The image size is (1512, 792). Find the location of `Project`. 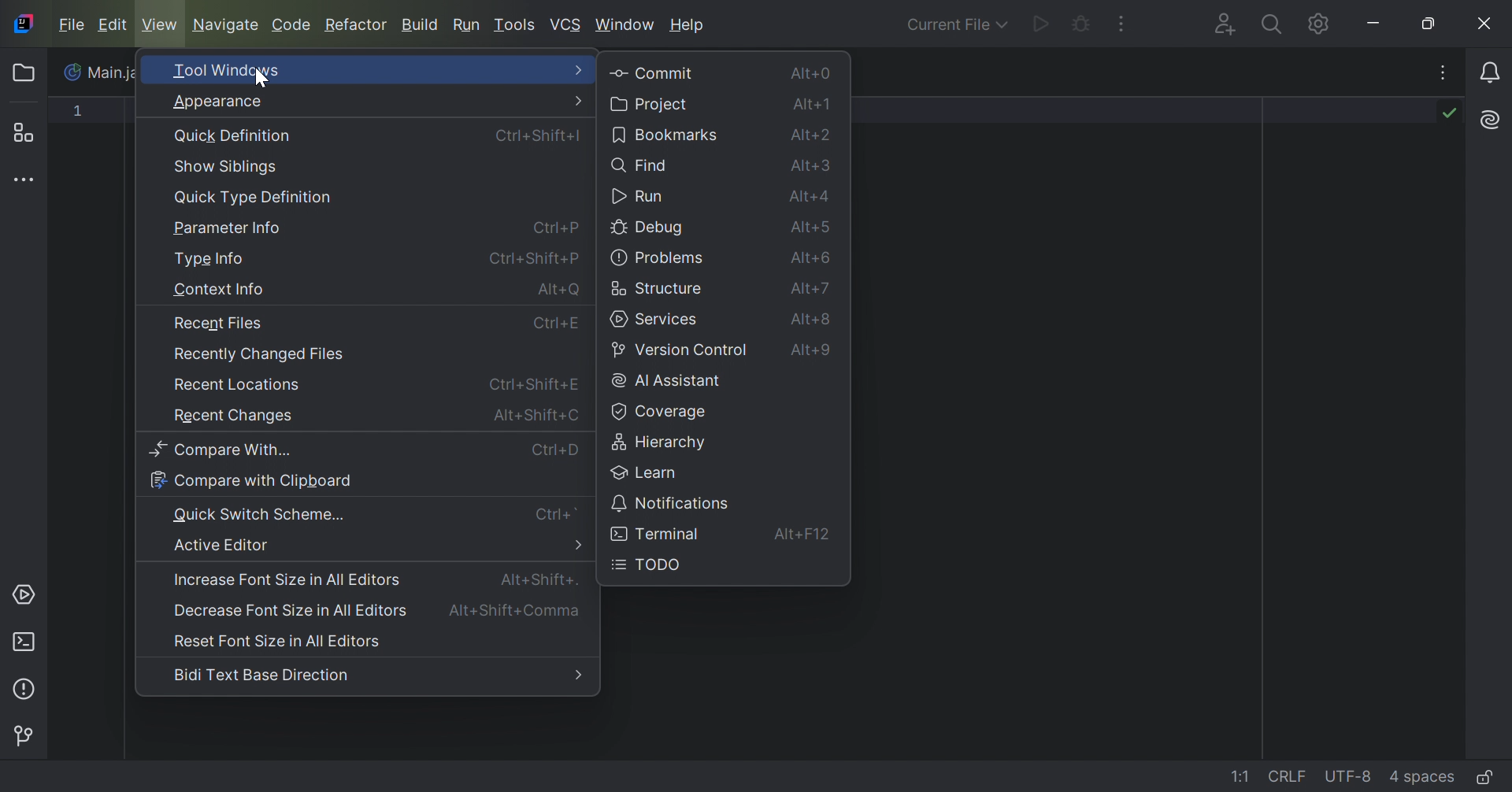

Project is located at coordinates (650, 104).